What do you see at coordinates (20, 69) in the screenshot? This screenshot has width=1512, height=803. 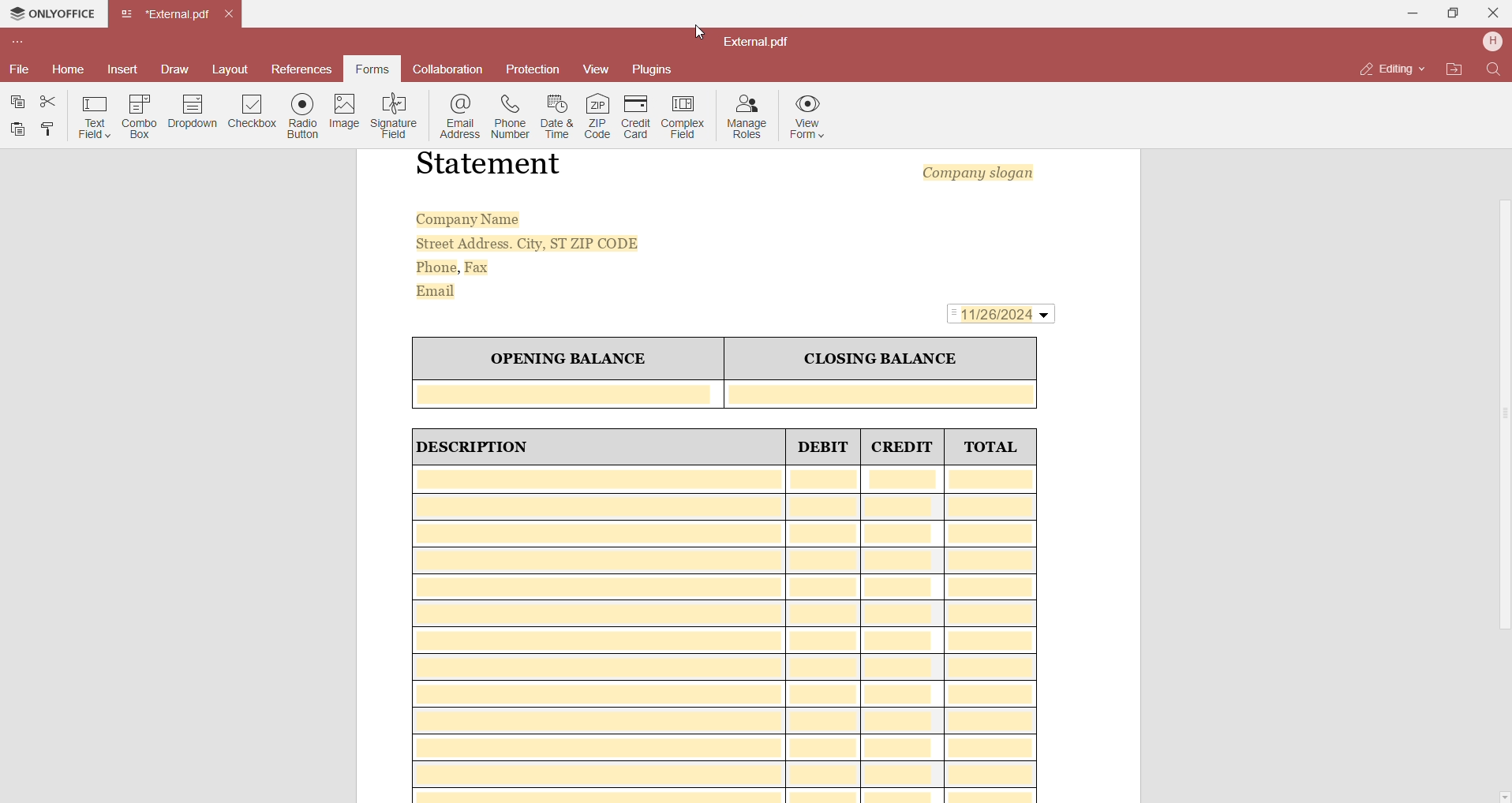 I see `File` at bounding box center [20, 69].